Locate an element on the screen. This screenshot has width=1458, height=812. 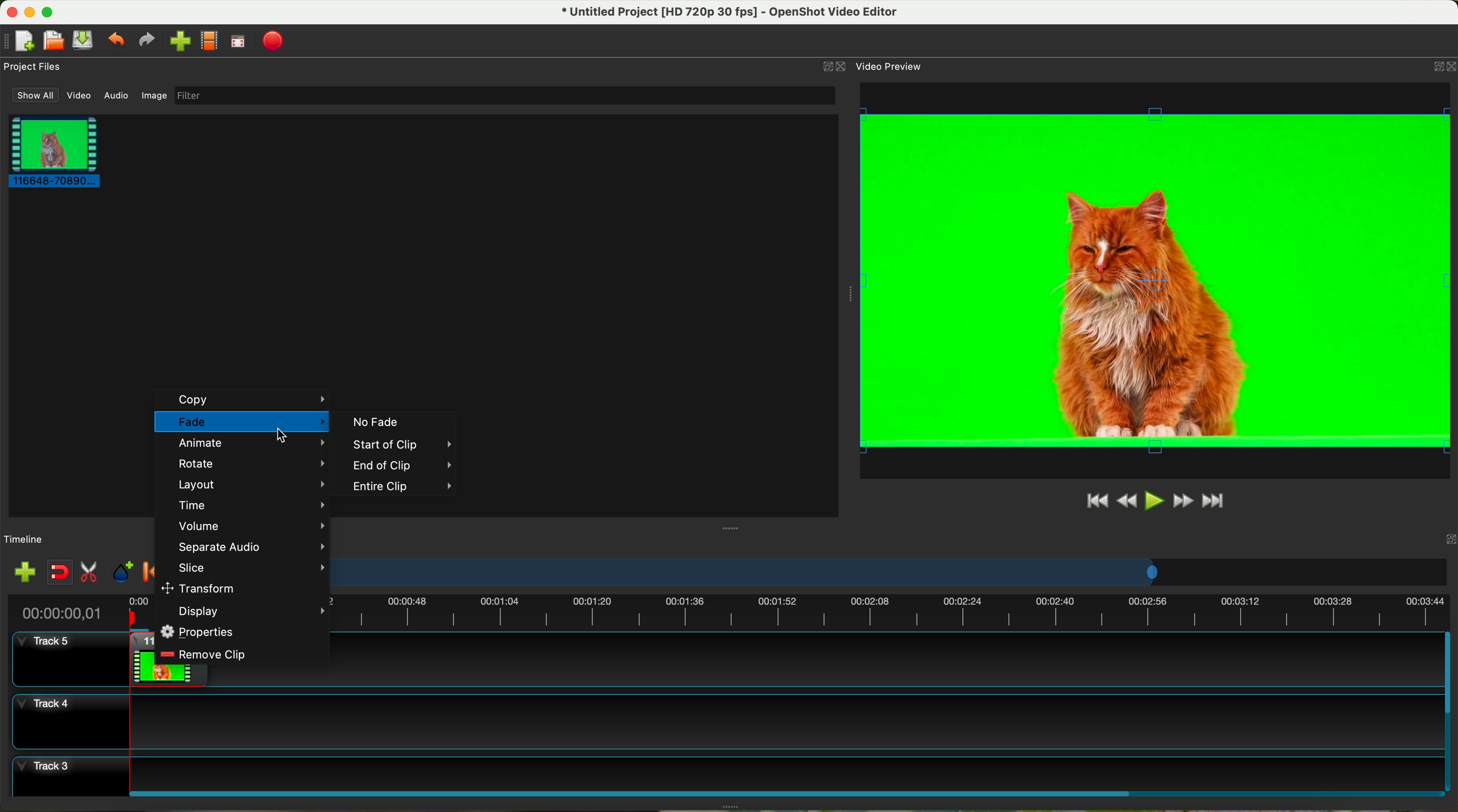
export video is located at coordinates (273, 42).